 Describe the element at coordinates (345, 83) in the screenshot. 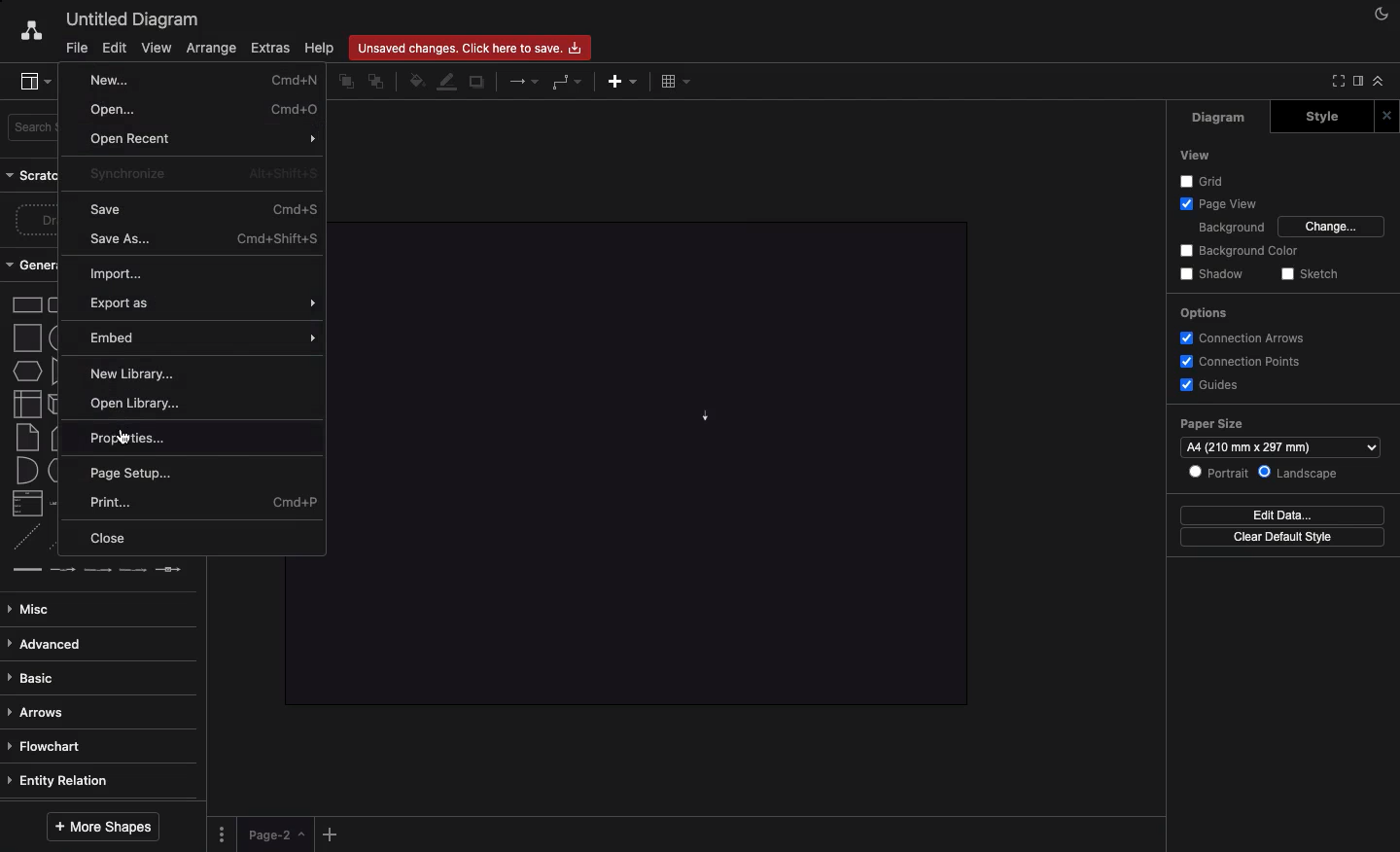

I see `To front` at that location.